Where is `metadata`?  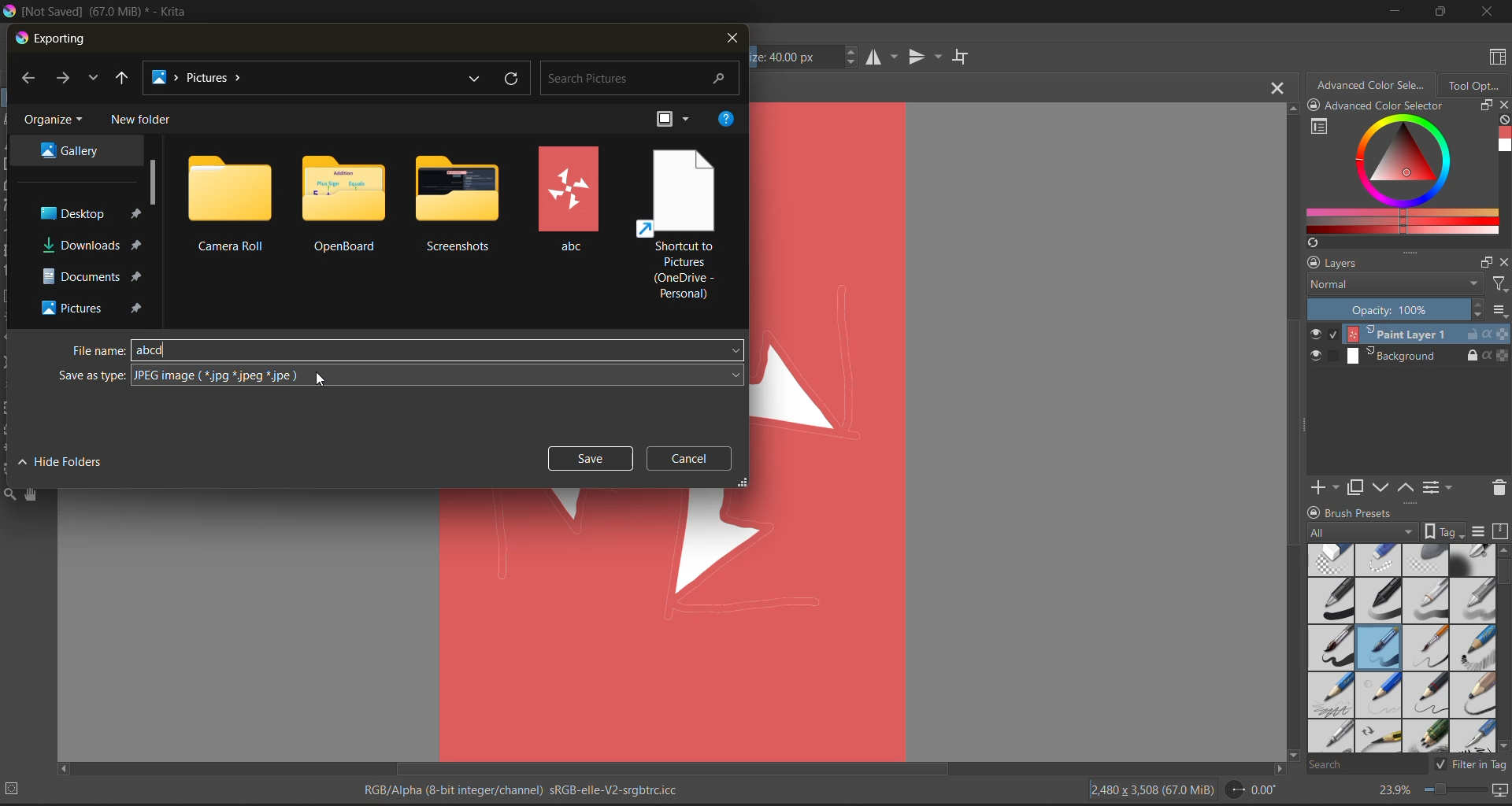 metadata is located at coordinates (530, 787).